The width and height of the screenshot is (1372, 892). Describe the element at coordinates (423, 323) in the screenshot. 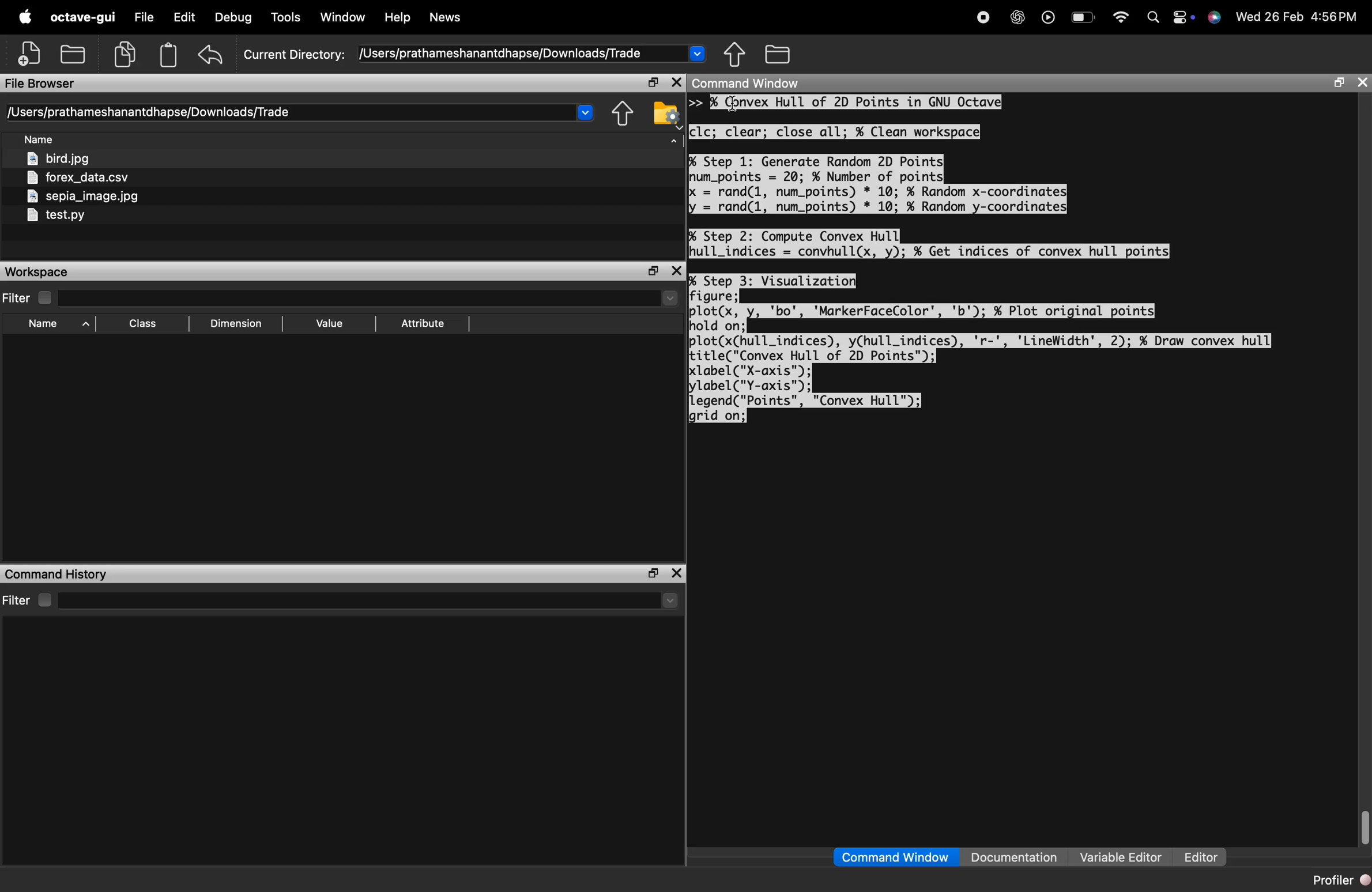

I see `Attribute` at that location.